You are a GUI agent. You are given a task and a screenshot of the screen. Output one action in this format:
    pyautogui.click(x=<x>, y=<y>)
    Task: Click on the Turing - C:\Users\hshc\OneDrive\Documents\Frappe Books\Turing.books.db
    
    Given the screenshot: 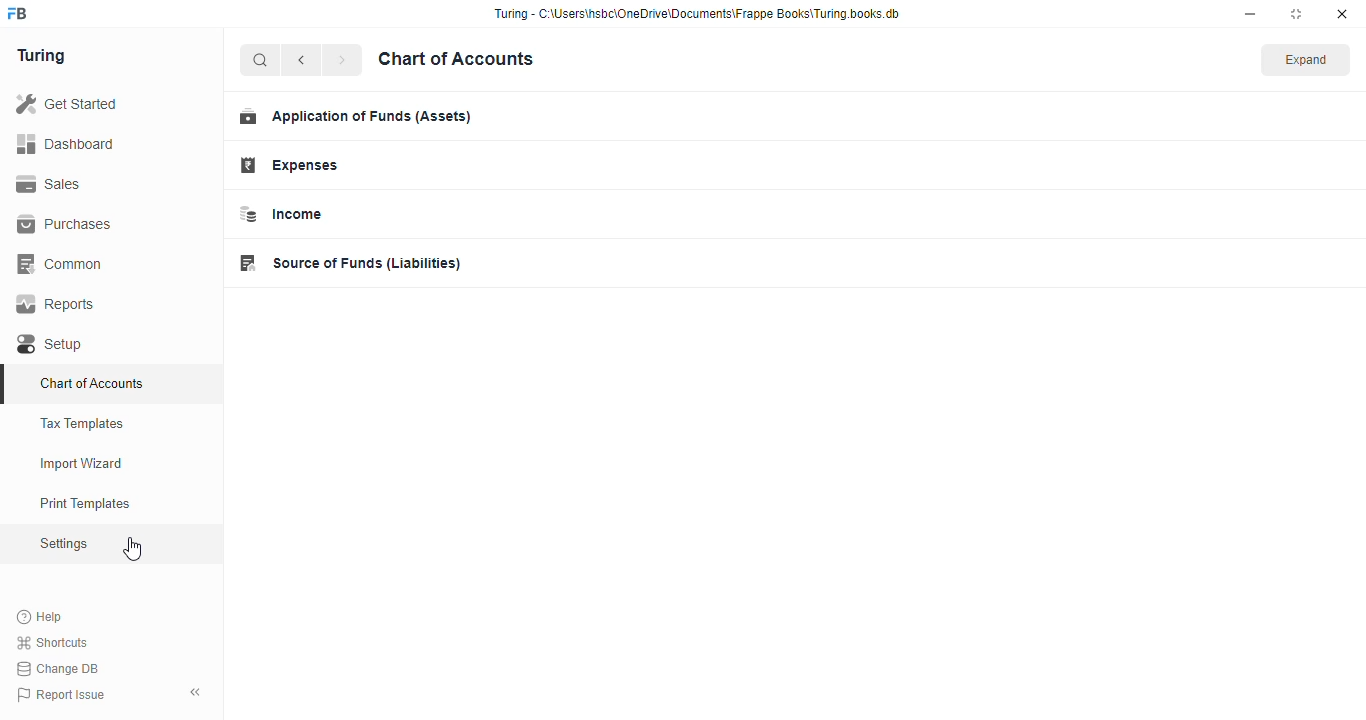 What is the action you would take?
    pyautogui.click(x=699, y=14)
    